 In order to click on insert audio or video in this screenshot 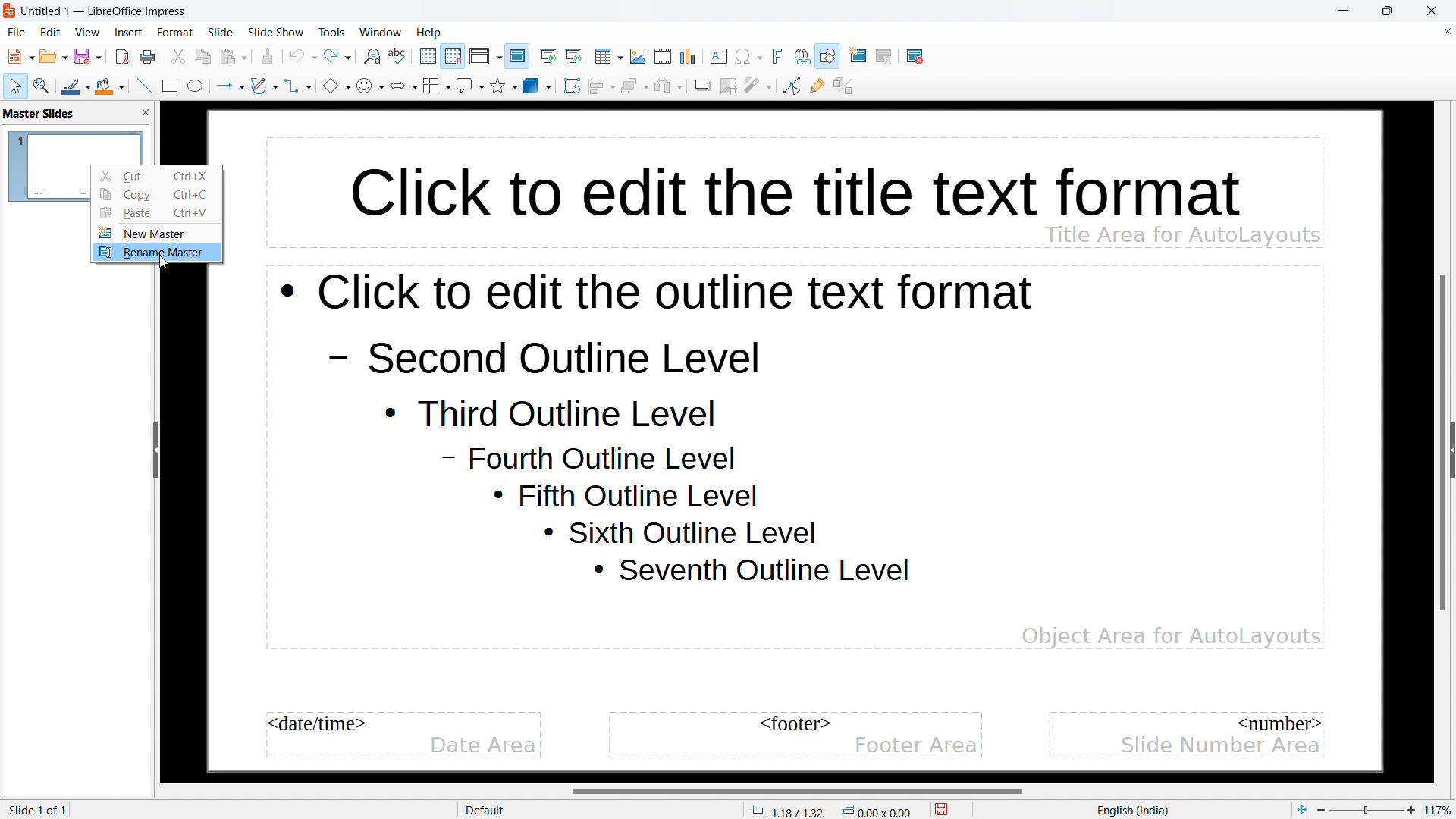, I will do `click(664, 57)`.